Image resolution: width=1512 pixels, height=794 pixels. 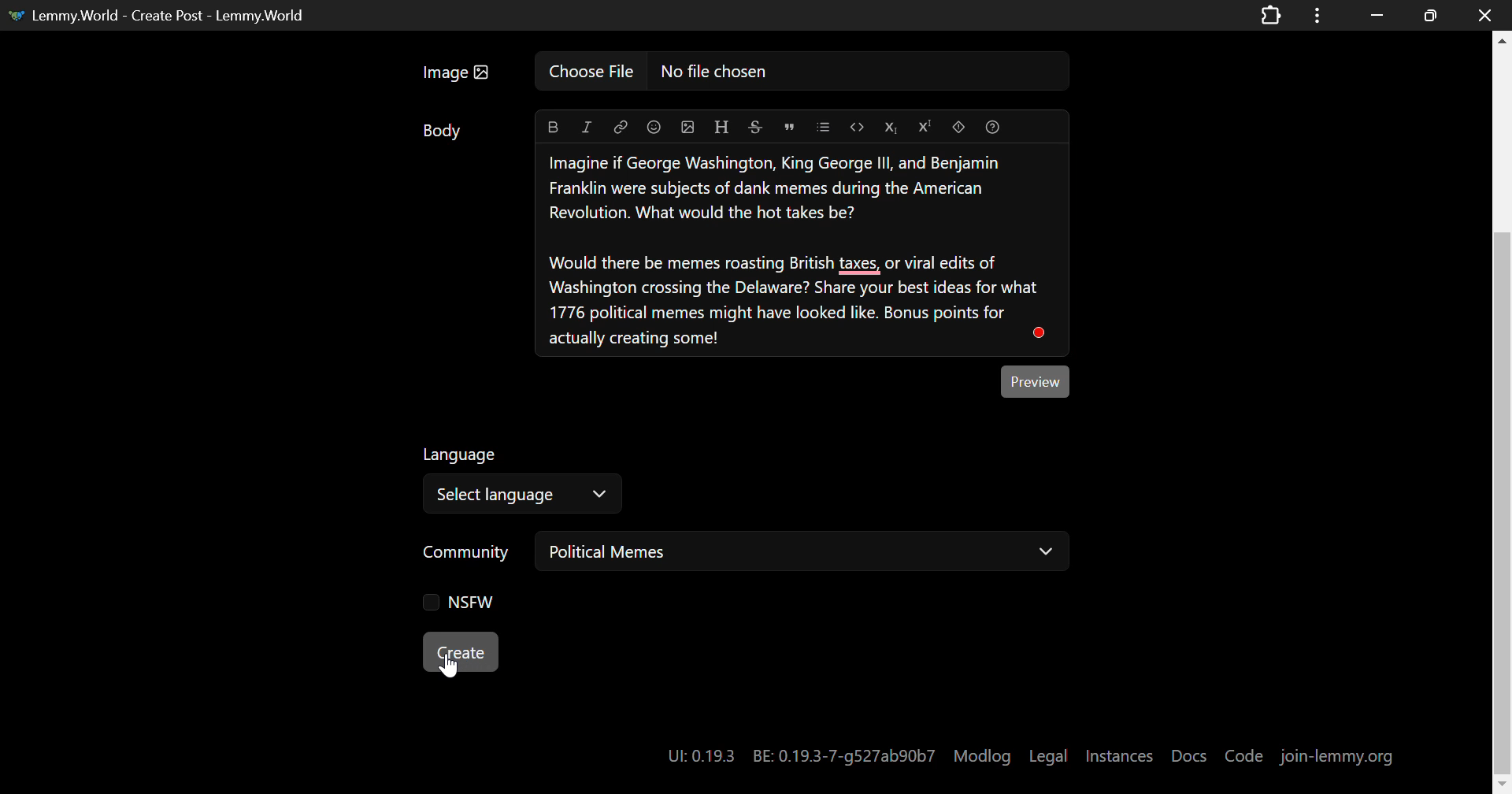 What do you see at coordinates (655, 128) in the screenshot?
I see `Insert Emoji` at bounding box center [655, 128].